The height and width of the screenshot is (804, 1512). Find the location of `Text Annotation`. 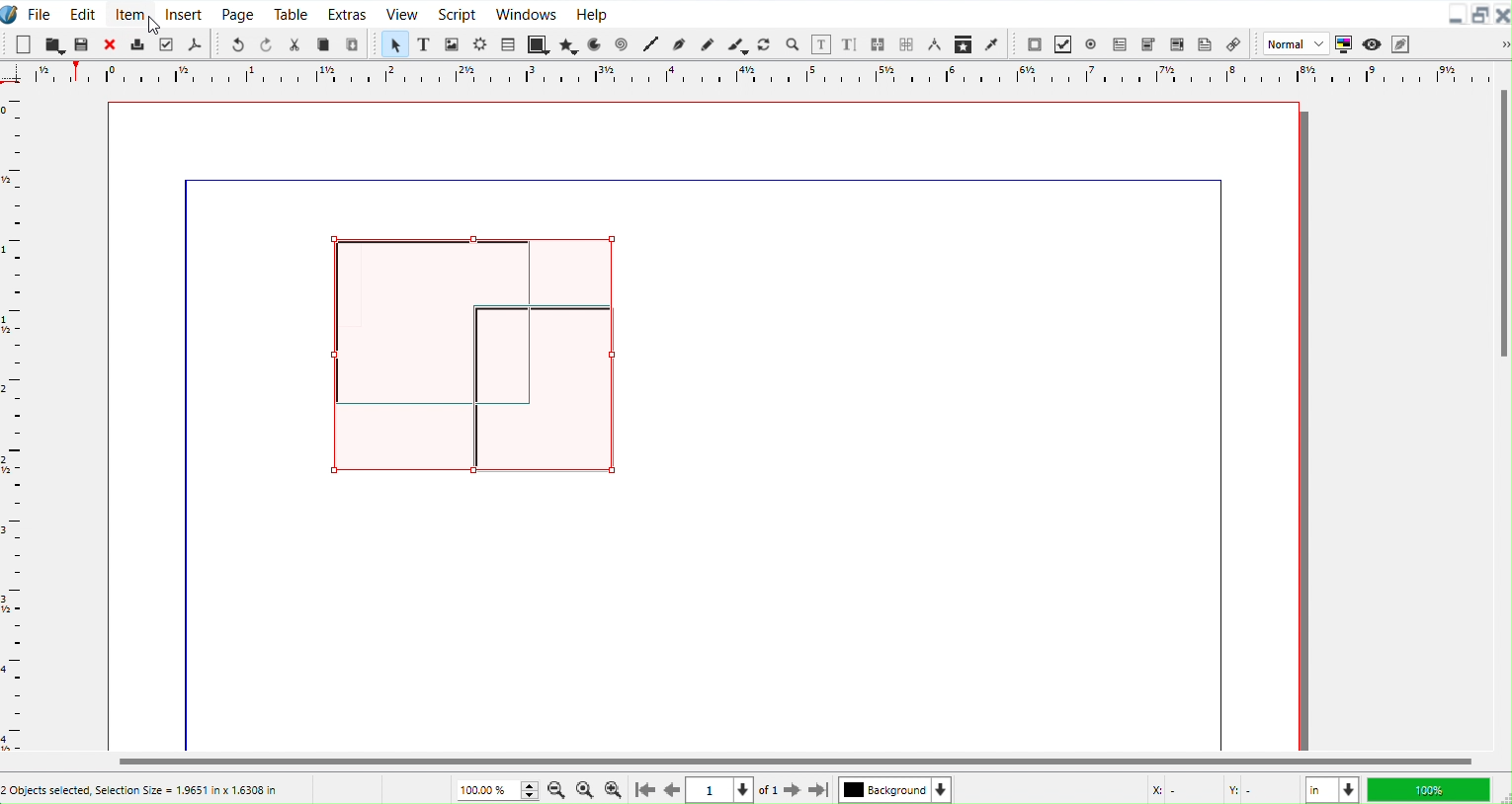

Text Annotation is located at coordinates (1205, 42).